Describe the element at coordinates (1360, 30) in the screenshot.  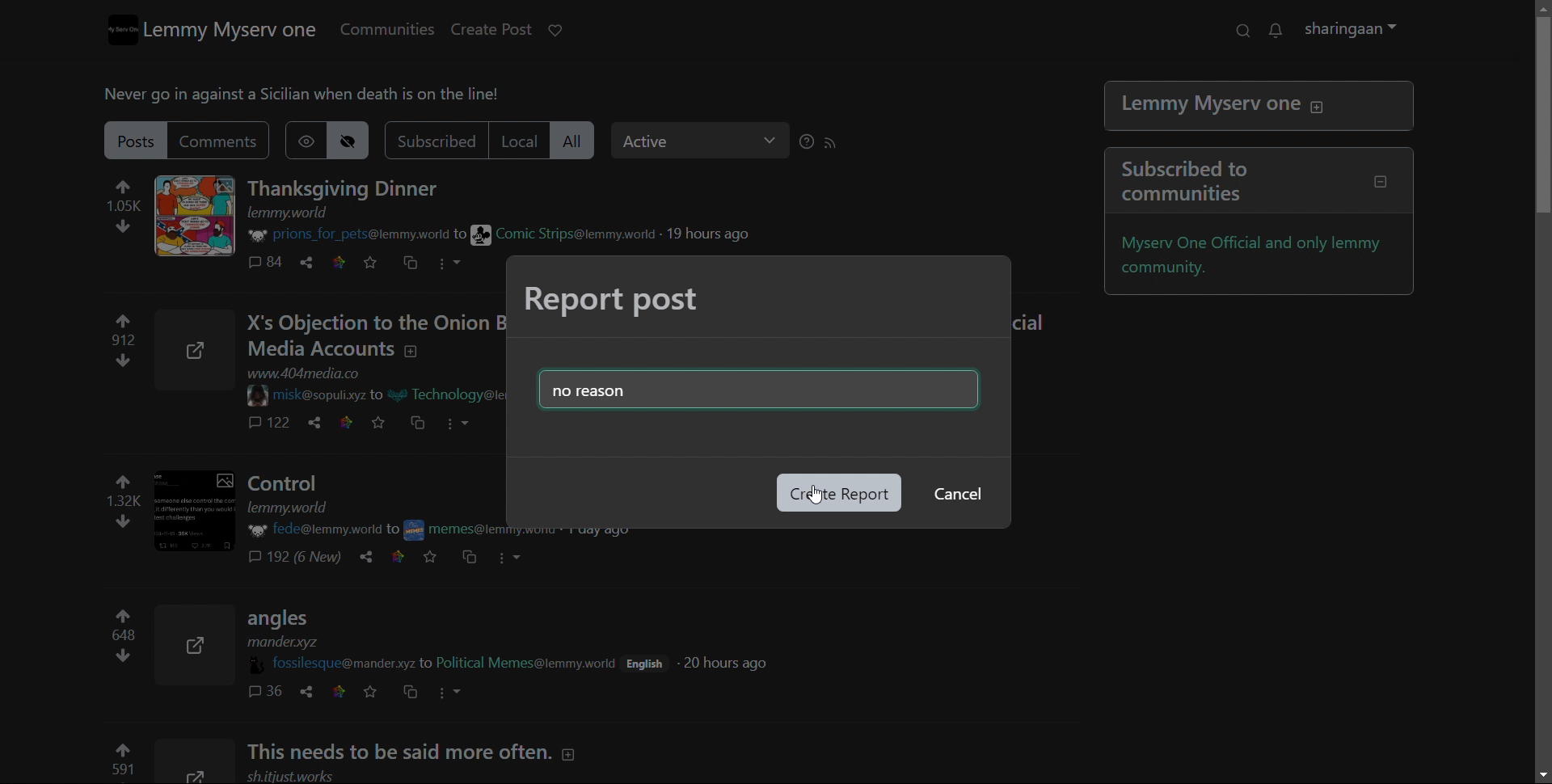
I see `sharingaan(profile)` at that location.